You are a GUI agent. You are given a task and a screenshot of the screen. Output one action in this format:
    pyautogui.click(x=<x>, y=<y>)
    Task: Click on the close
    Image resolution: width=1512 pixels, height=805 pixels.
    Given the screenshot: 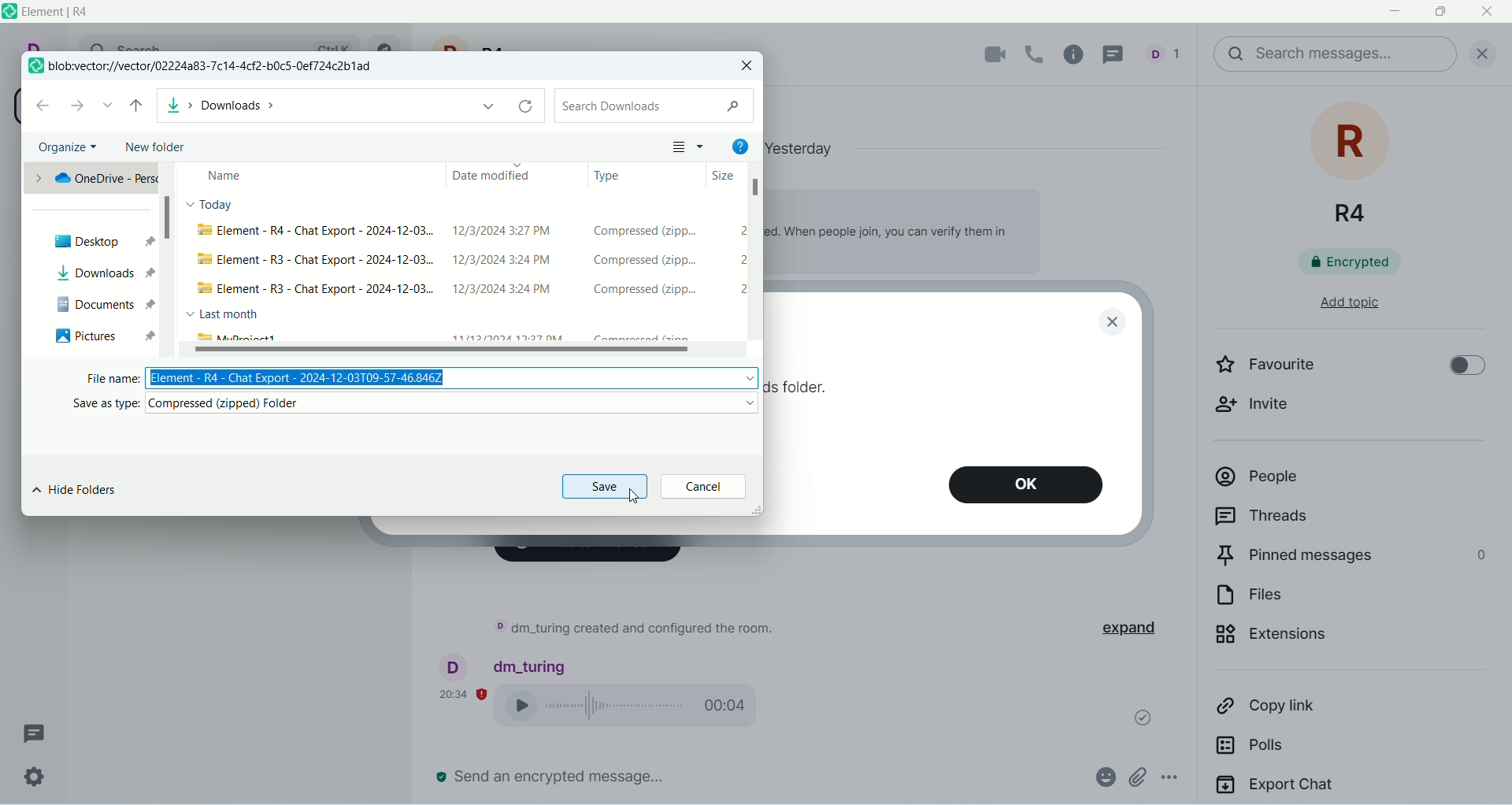 What is the action you would take?
    pyautogui.click(x=1478, y=51)
    